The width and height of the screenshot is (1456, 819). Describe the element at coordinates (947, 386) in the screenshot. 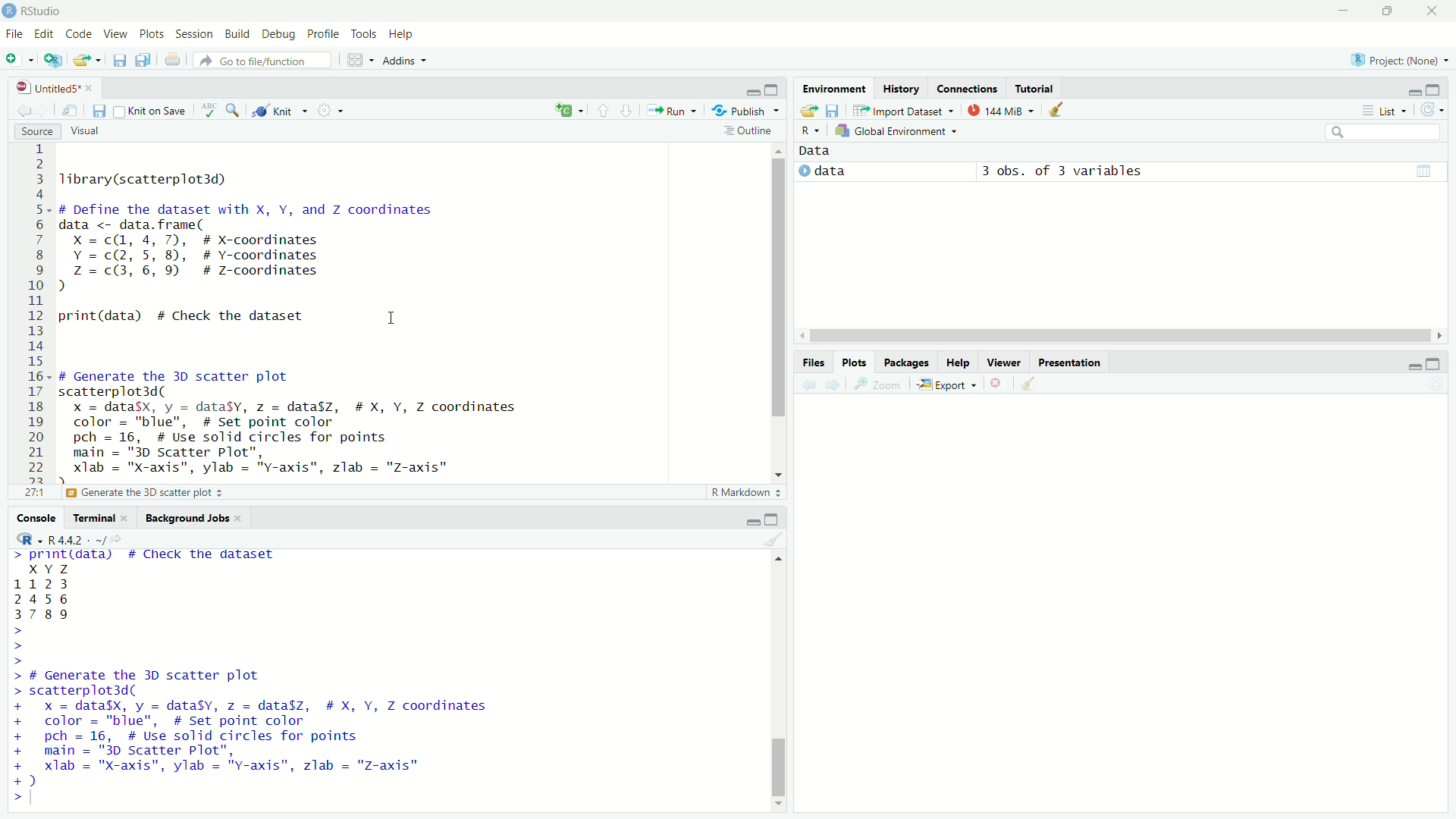

I see `Export` at that location.